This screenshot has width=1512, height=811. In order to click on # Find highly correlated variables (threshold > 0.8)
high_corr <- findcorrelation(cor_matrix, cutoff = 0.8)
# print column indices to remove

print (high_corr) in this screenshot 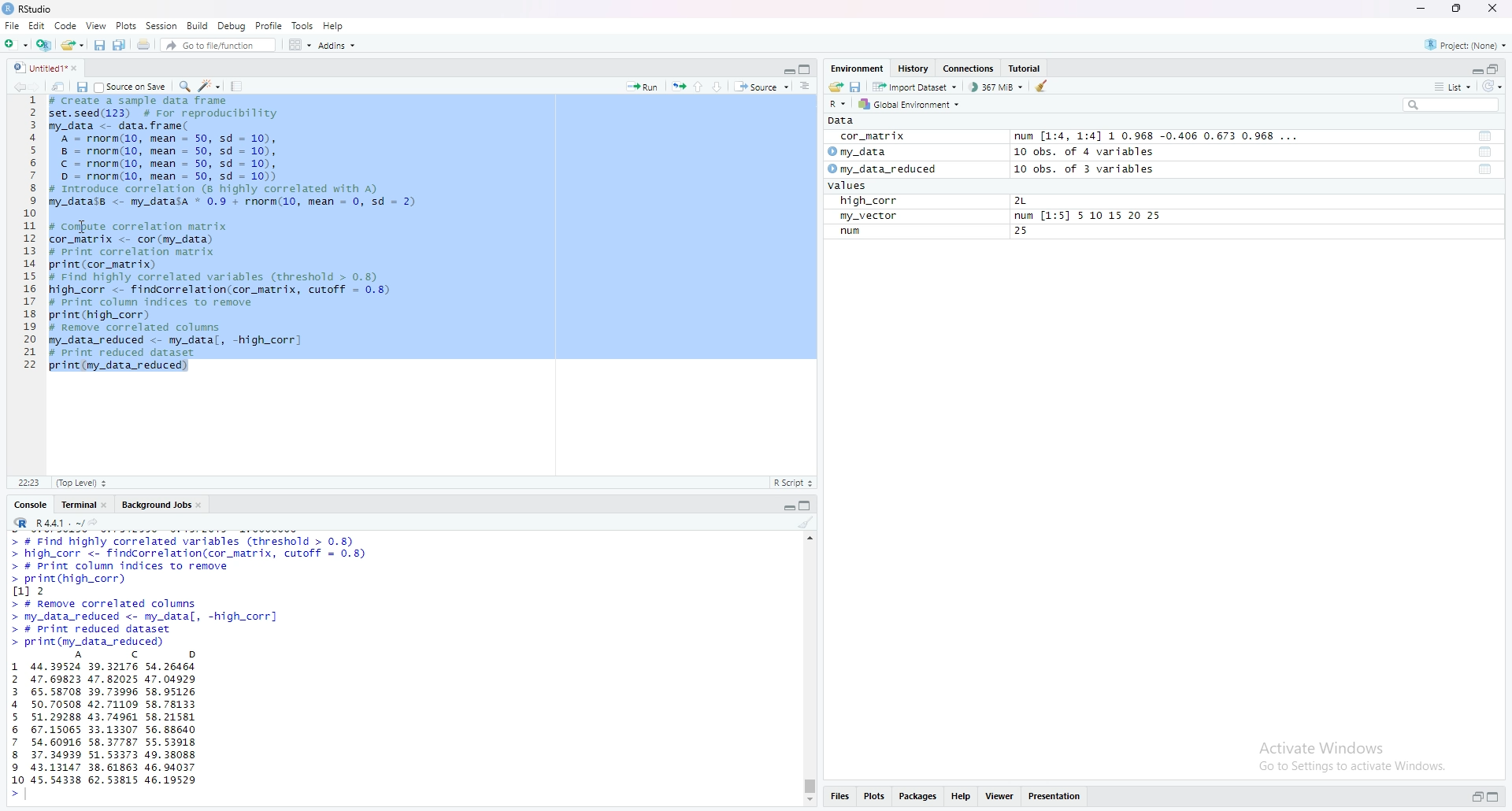, I will do `click(197, 559)`.